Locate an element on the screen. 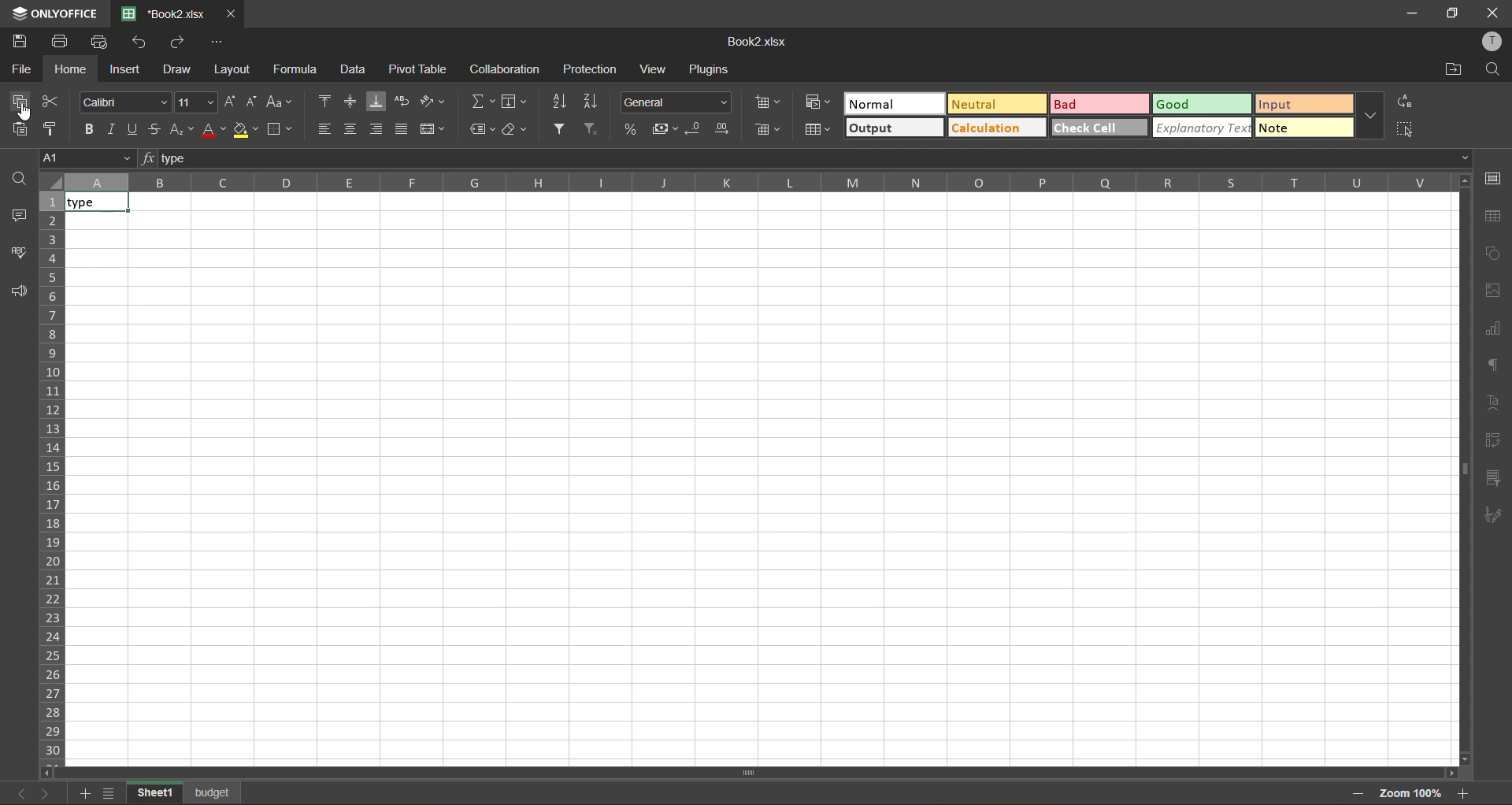 The image size is (1512, 805). more options is located at coordinates (1369, 116).